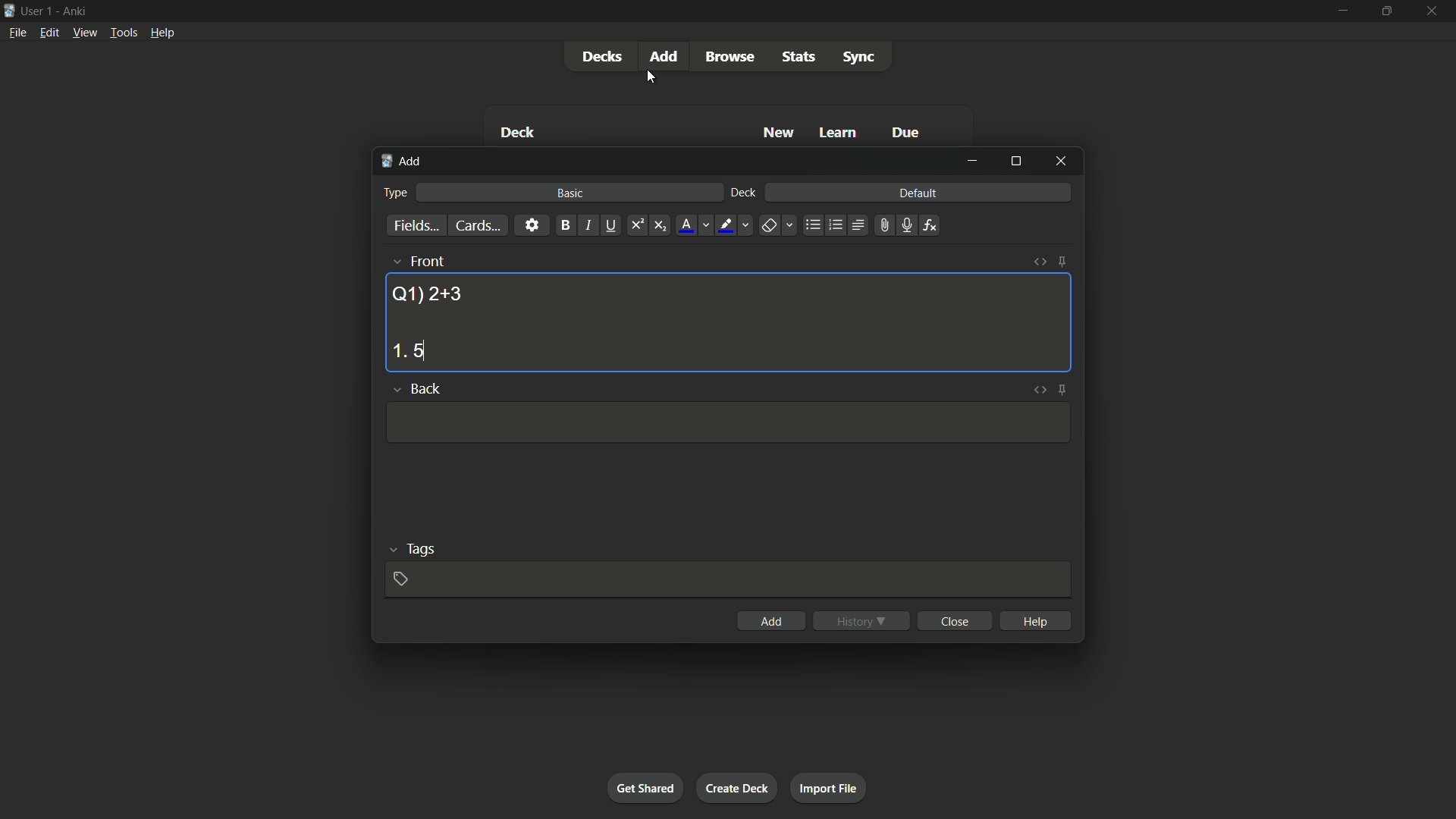  I want to click on fields, so click(416, 227).